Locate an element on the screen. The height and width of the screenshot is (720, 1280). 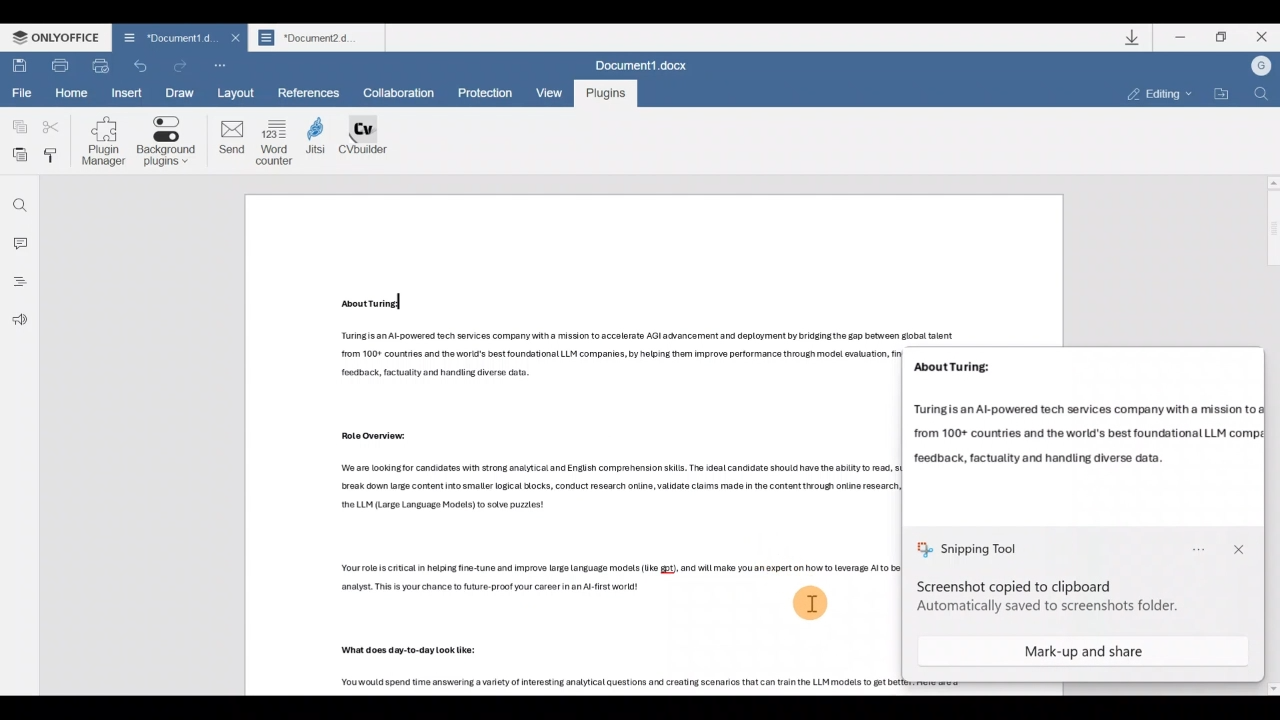
Document1 d. is located at coordinates (164, 36).